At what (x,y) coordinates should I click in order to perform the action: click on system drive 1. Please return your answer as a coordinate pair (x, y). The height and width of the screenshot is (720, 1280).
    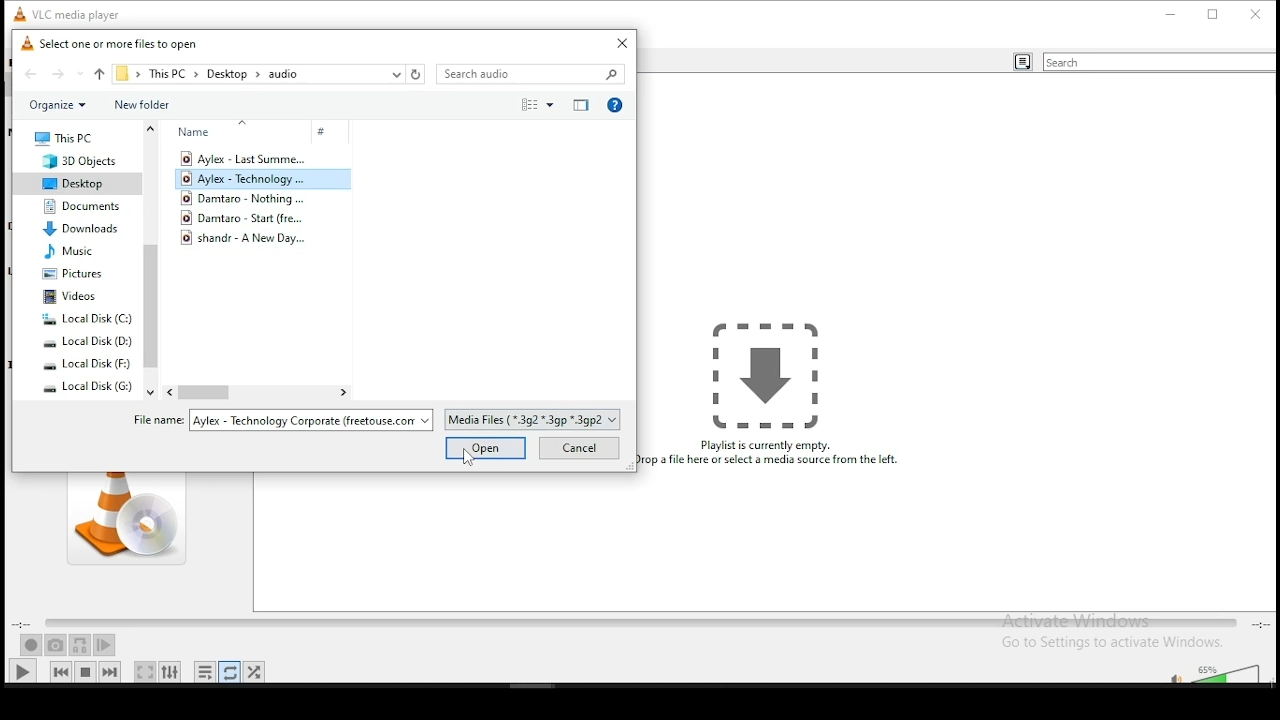
    Looking at the image, I should click on (86, 319).